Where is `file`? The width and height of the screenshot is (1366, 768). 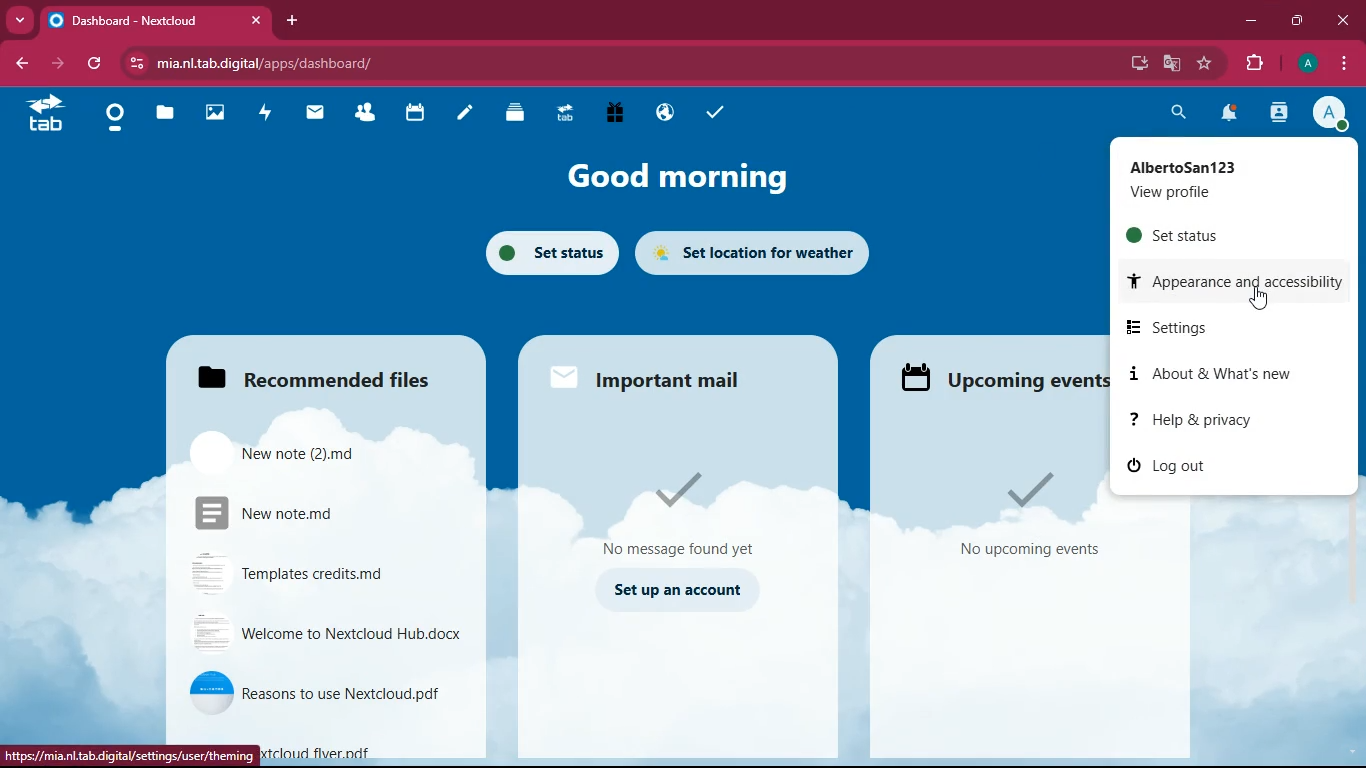
file is located at coordinates (305, 511).